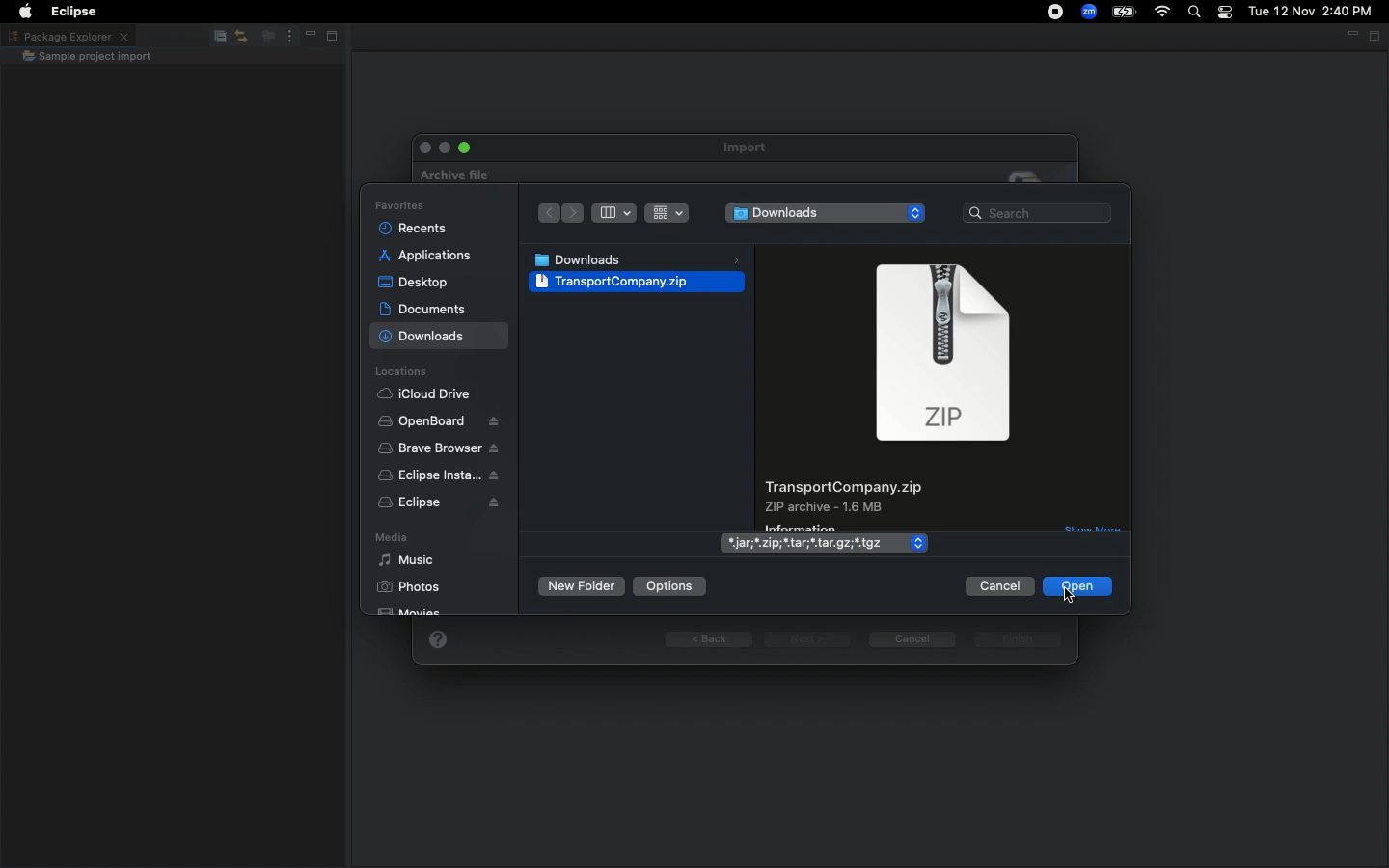  I want to click on sample project import, so click(87, 58).